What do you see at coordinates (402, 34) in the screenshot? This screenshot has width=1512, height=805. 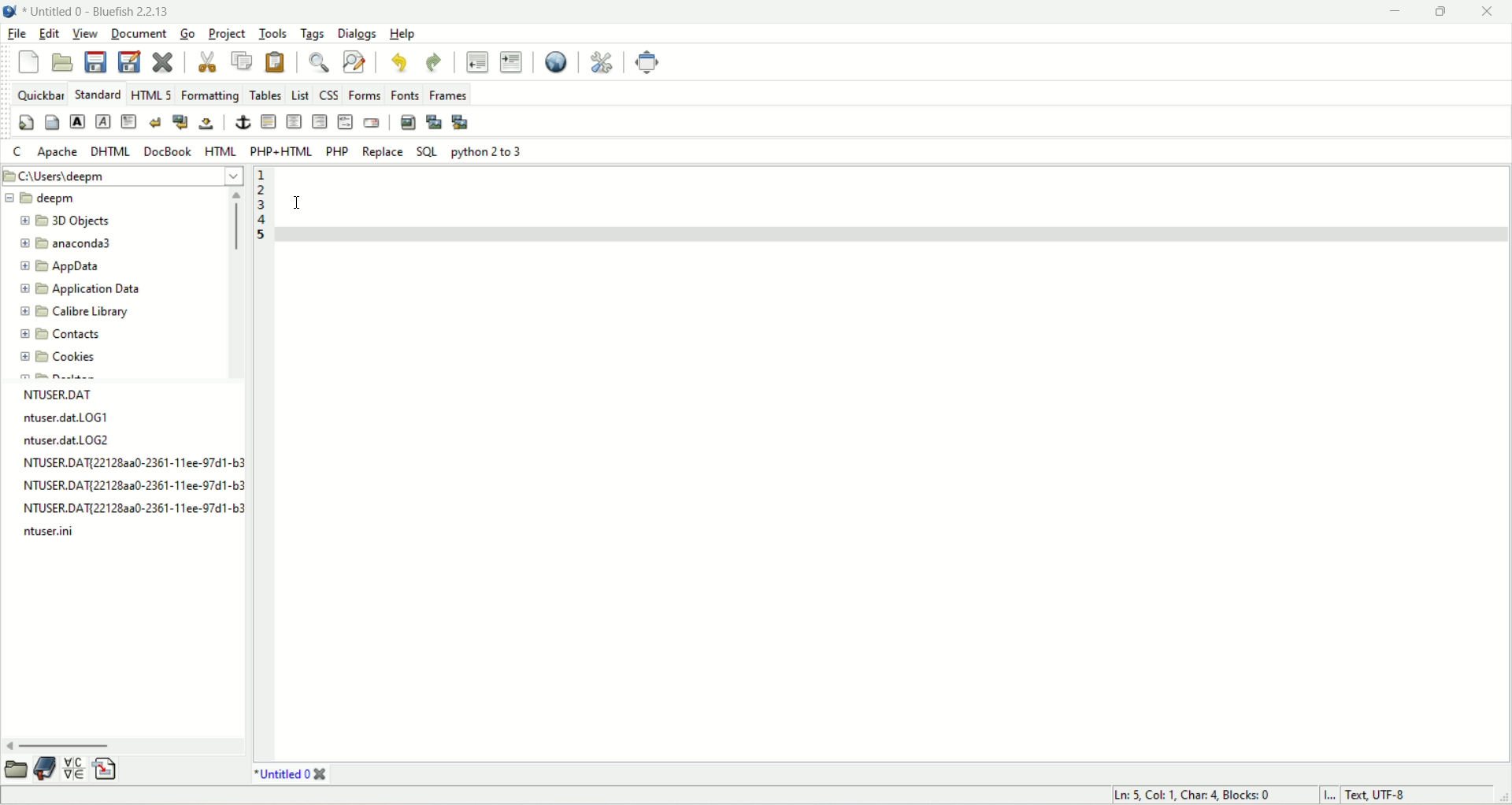 I see `help` at bounding box center [402, 34].